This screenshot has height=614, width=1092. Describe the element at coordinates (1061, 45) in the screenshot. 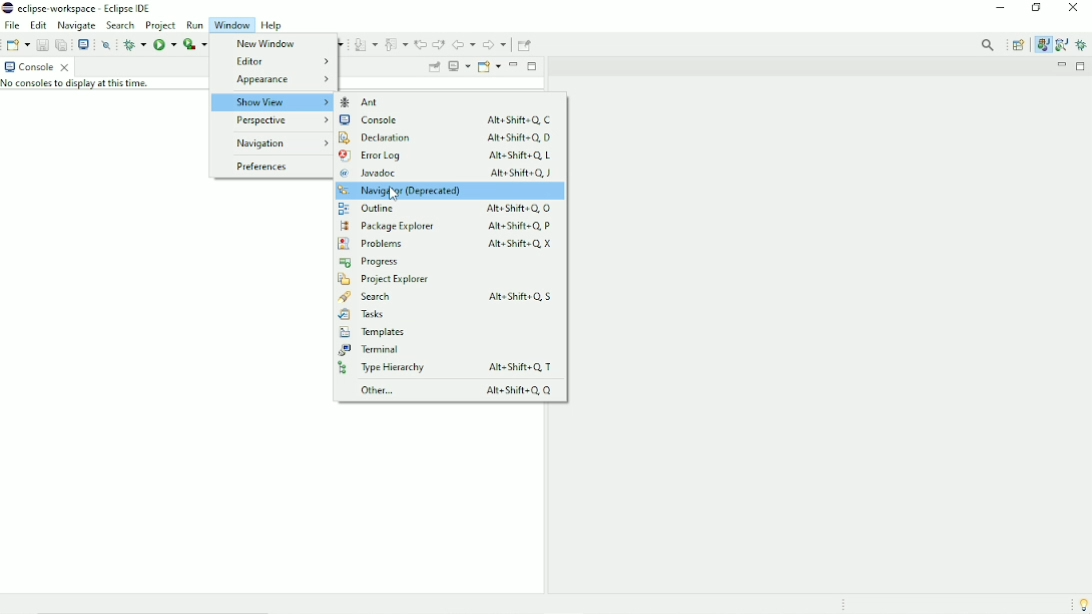

I see `Java Browsing` at that location.